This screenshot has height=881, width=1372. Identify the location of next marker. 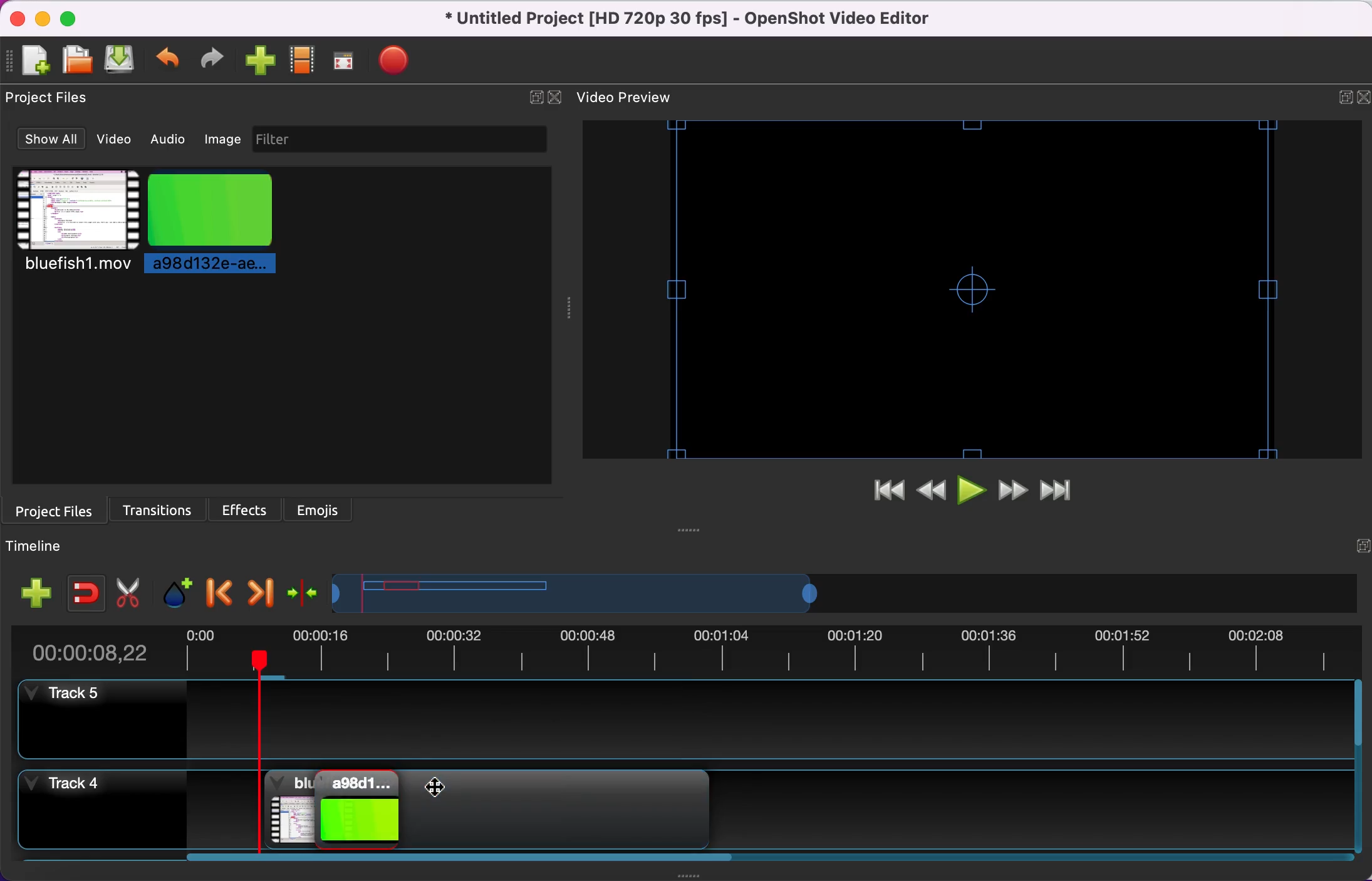
(264, 592).